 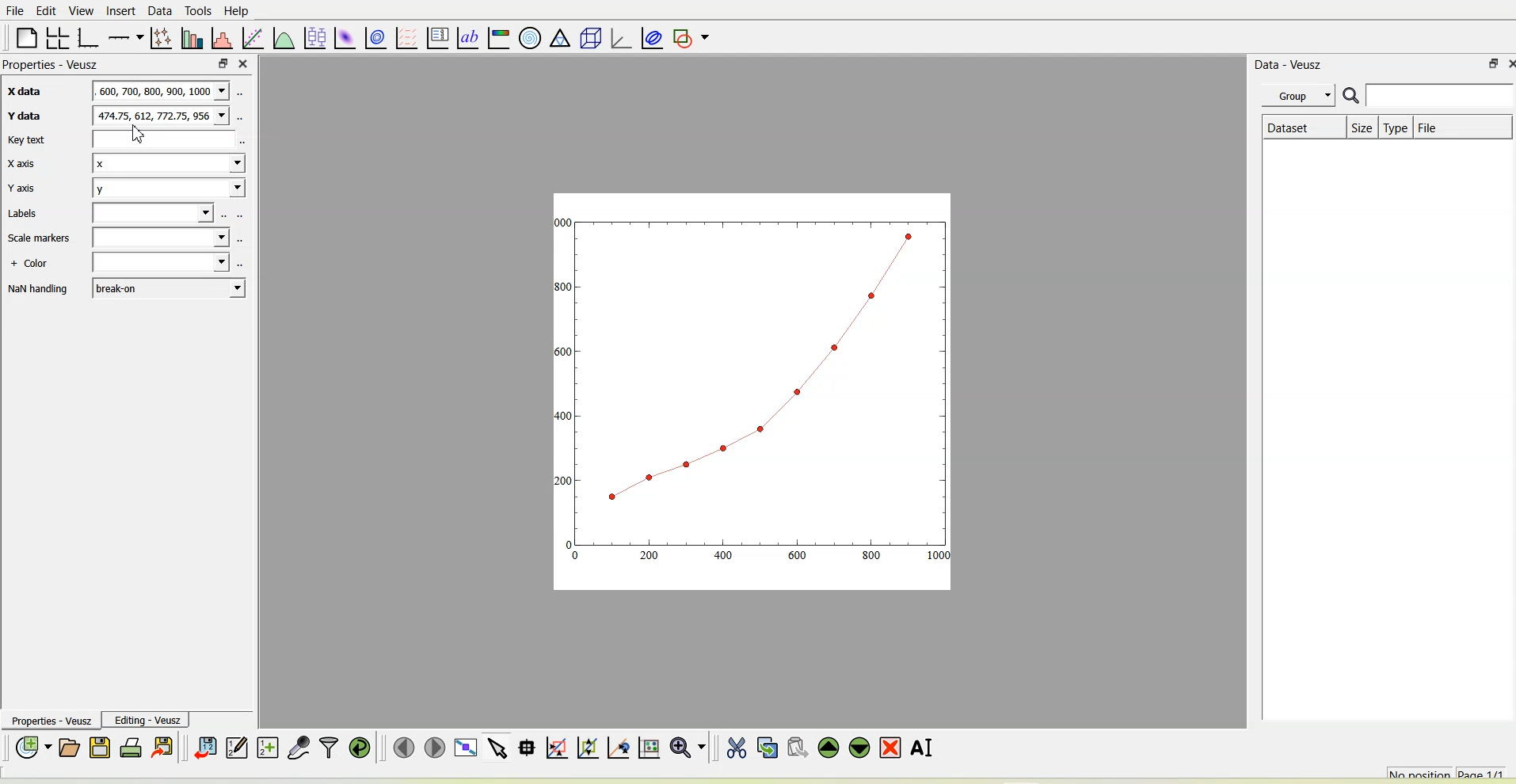 What do you see at coordinates (42, 238) in the screenshot?
I see `Scale markers` at bounding box center [42, 238].